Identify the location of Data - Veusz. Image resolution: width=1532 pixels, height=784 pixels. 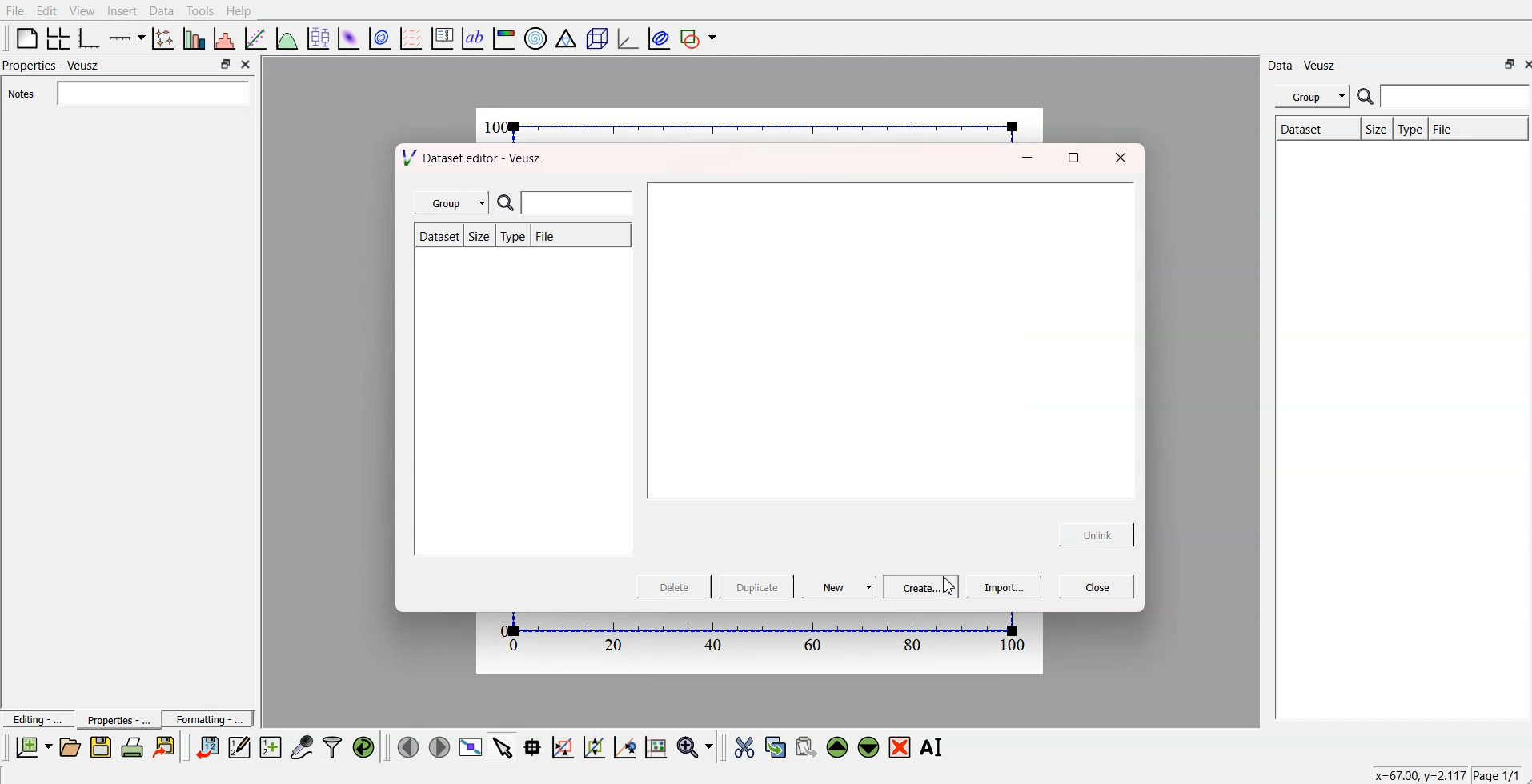
(1308, 64).